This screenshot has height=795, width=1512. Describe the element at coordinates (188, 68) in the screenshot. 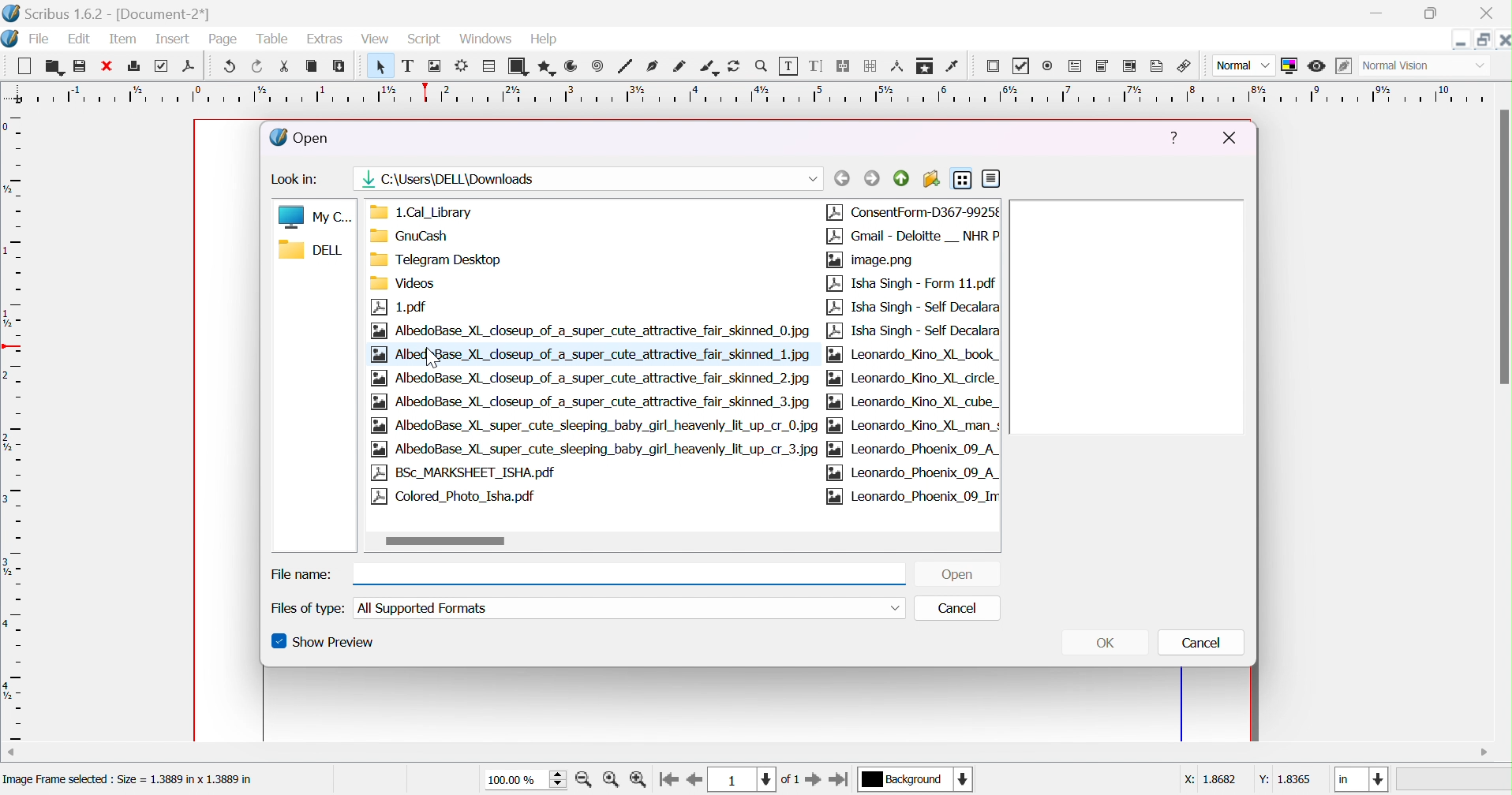

I see `save as PDF` at that location.